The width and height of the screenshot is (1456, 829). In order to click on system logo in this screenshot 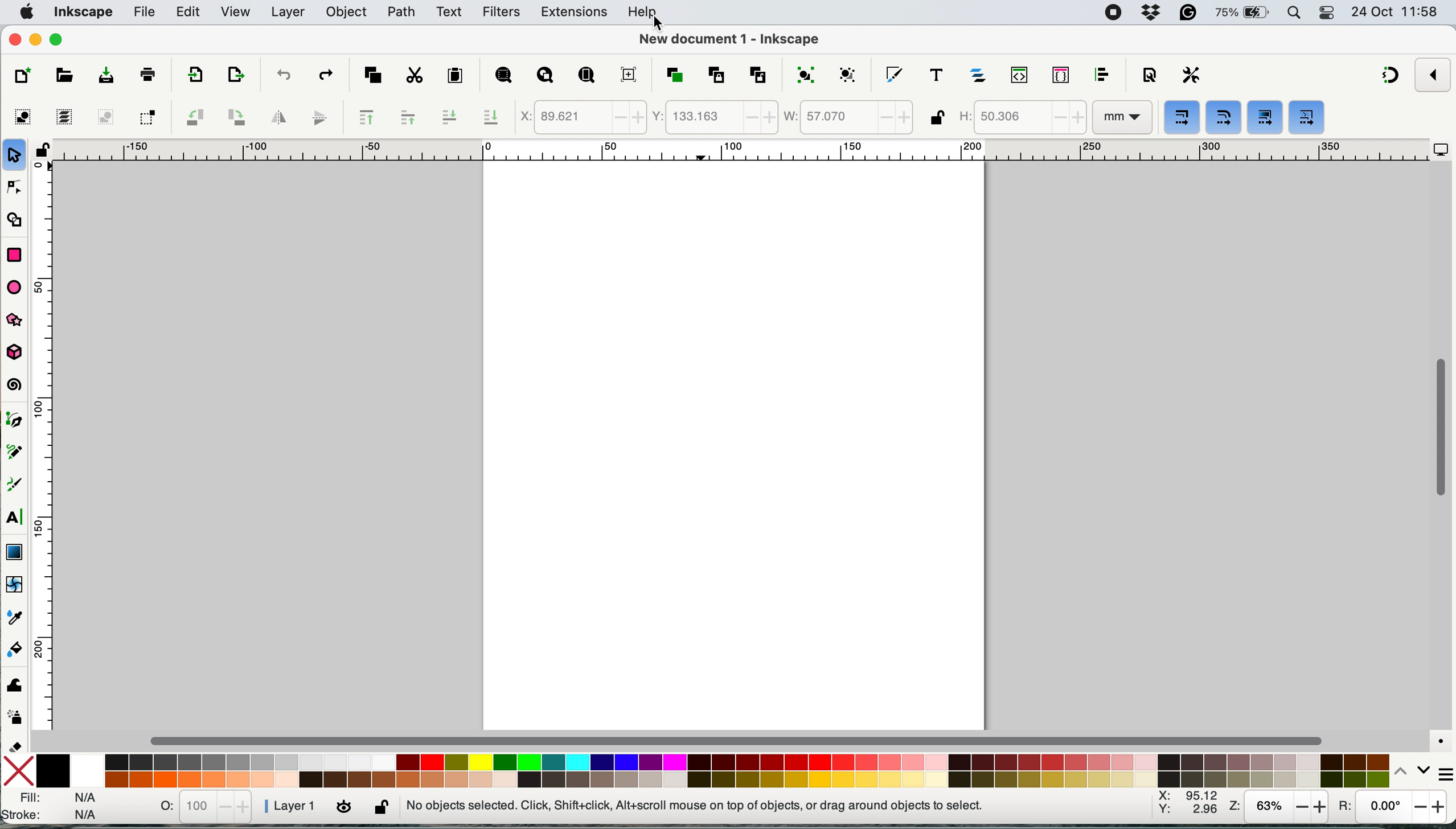, I will do `click(28, 13)`.